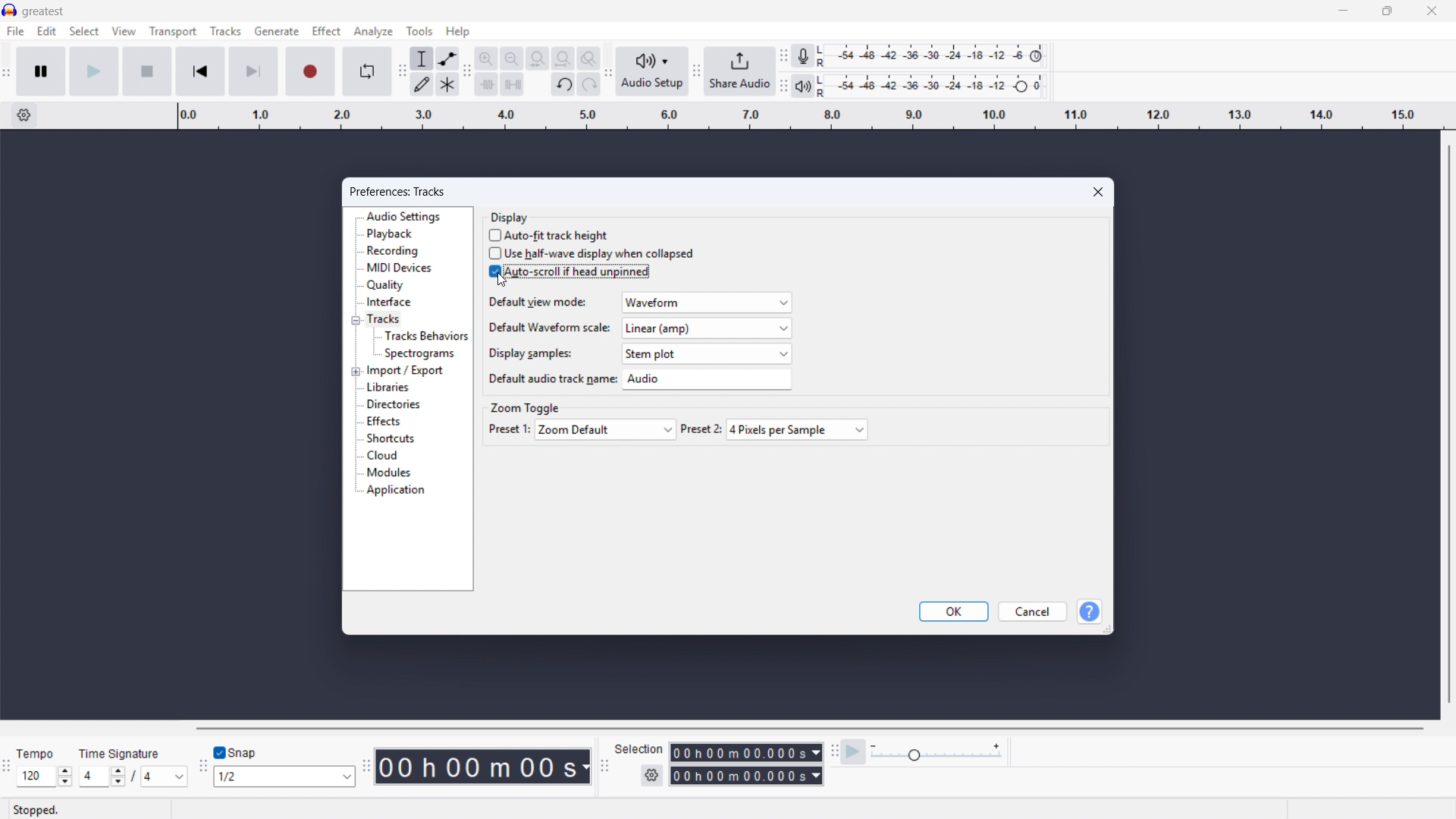 This screenshot has width=1456, height=819. I want to click on Application , so click(396, 491).